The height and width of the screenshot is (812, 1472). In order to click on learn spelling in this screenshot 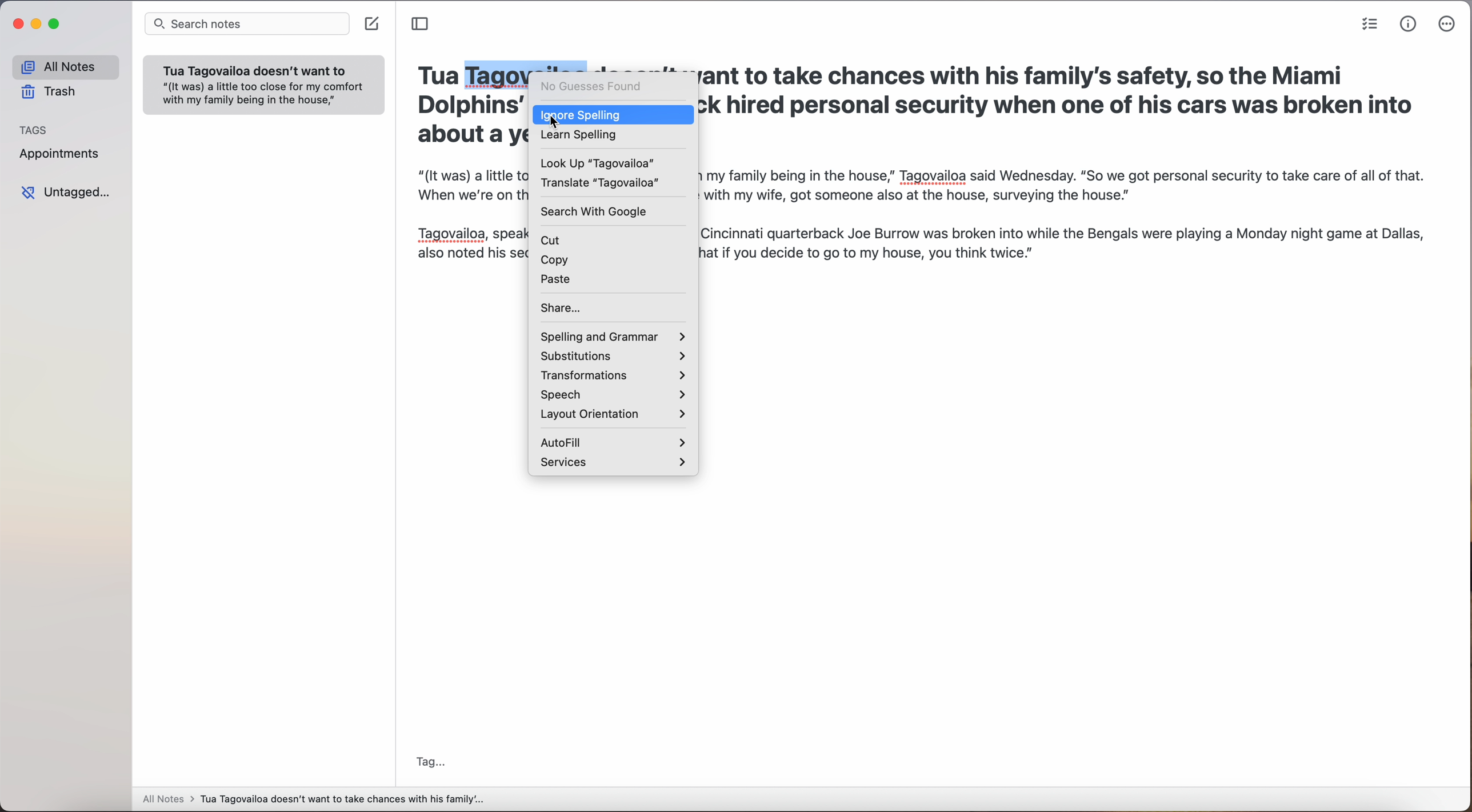, I will do `click(585, 136)`.